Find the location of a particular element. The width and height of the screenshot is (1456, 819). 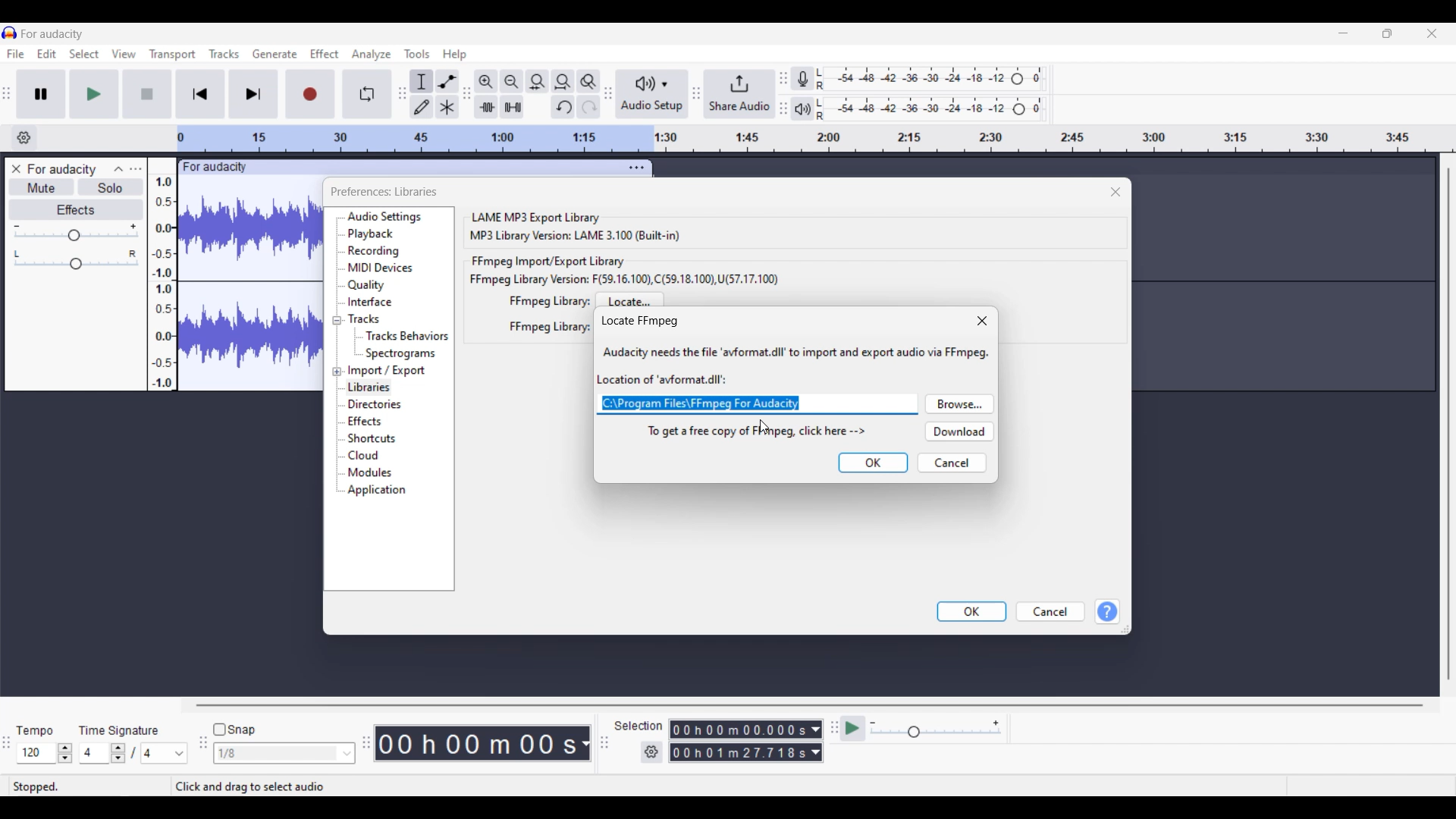

Audacity needs the file 'avformat .dll' to import and export audio via FFmpeg. is located at coordinates (795, 352).